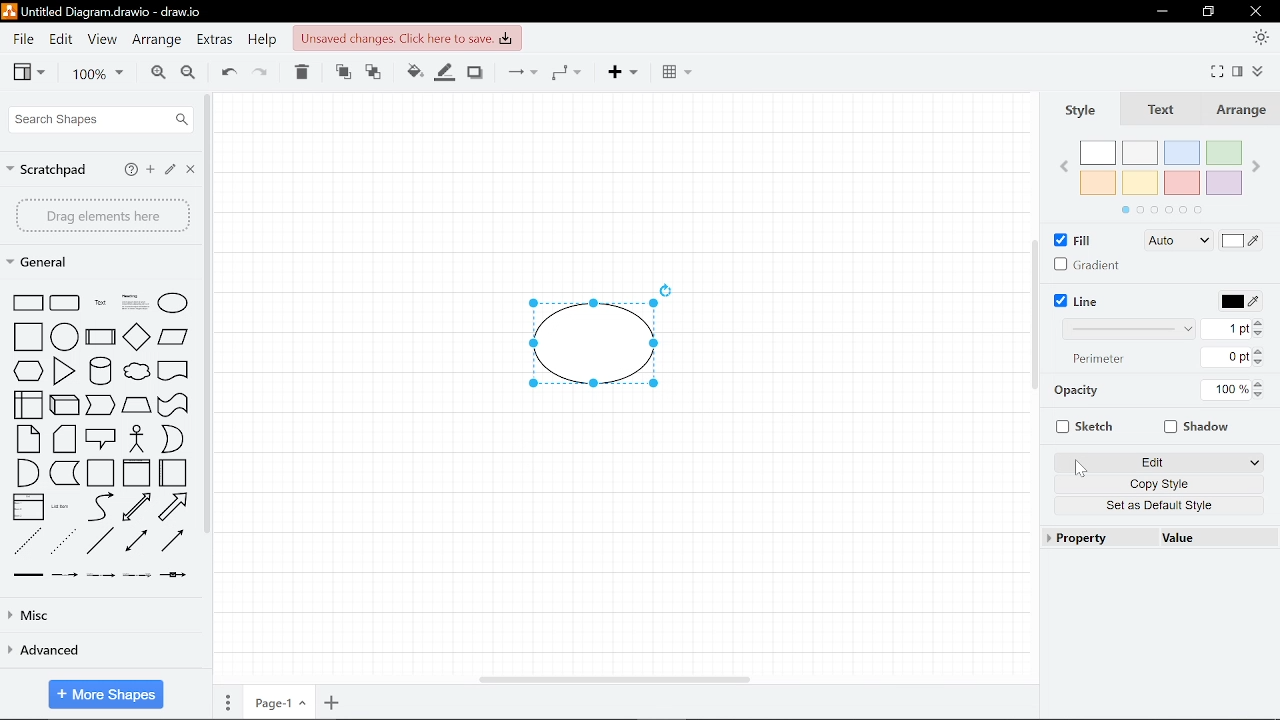  Describe the element at coordinates (100, 575) in the screenshot. I see `connector with 2 labels` at that location.